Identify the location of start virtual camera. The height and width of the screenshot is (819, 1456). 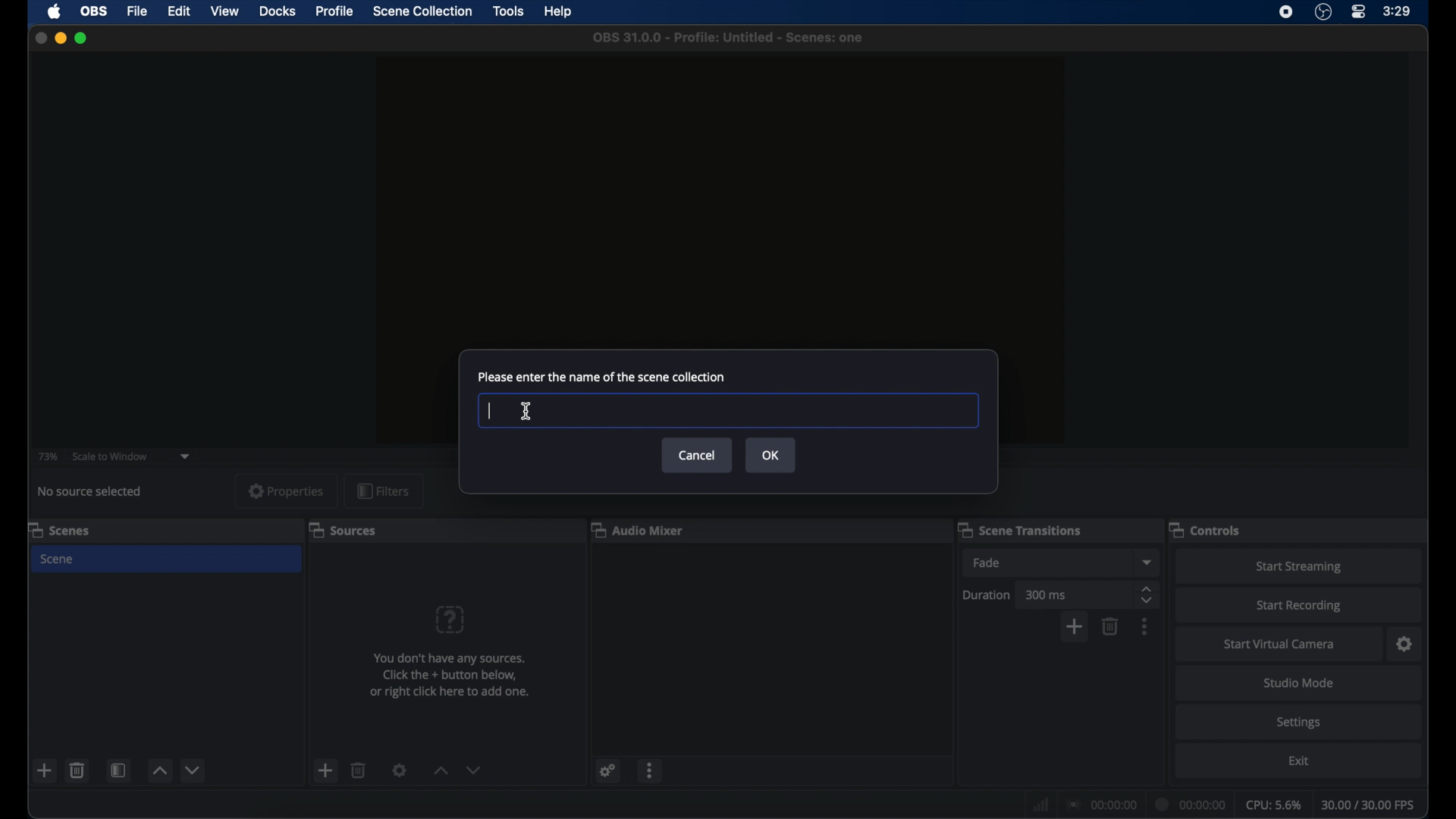
(1278, 645).